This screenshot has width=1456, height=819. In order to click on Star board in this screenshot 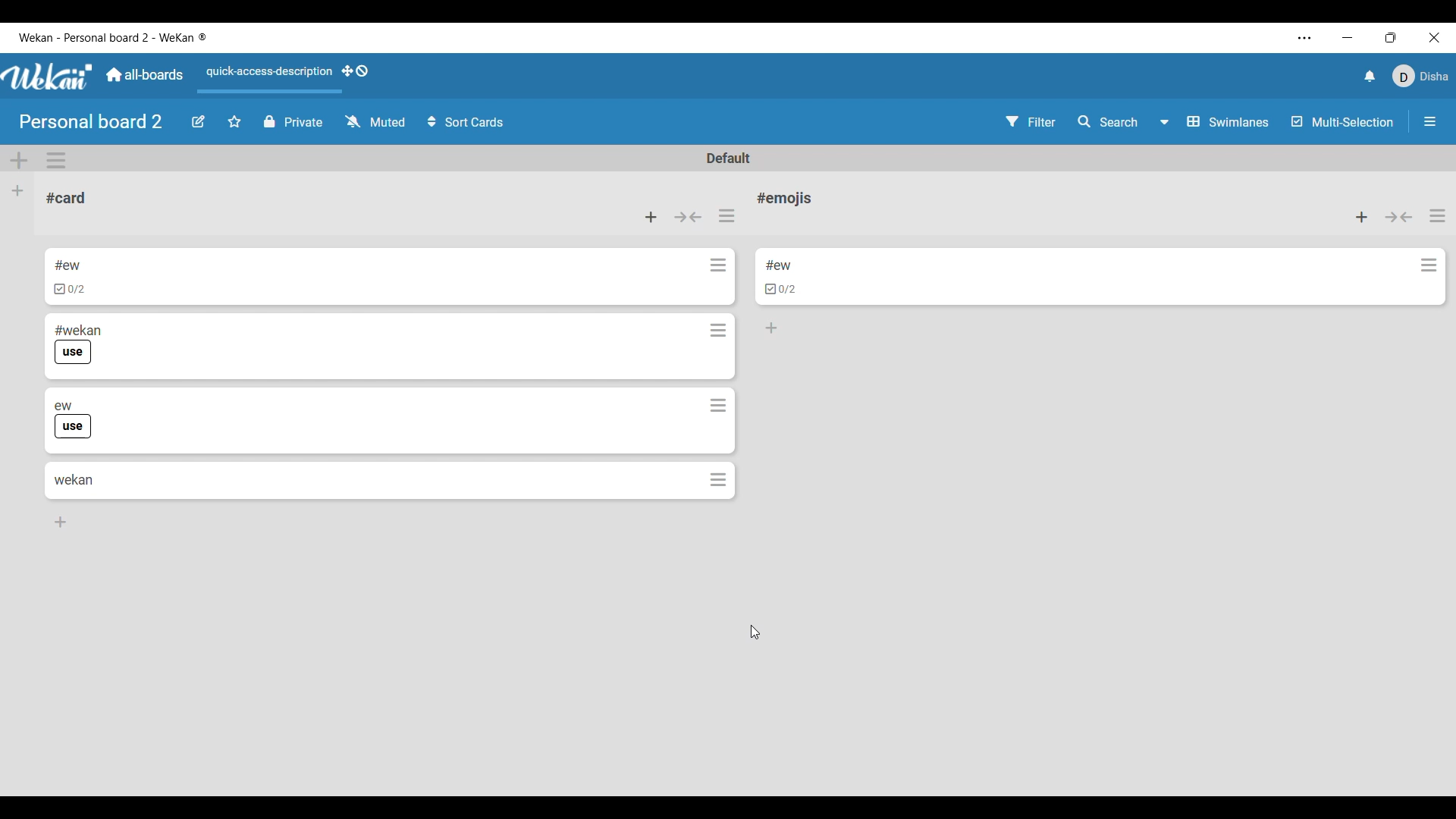, I will do `click(234, 121)`.